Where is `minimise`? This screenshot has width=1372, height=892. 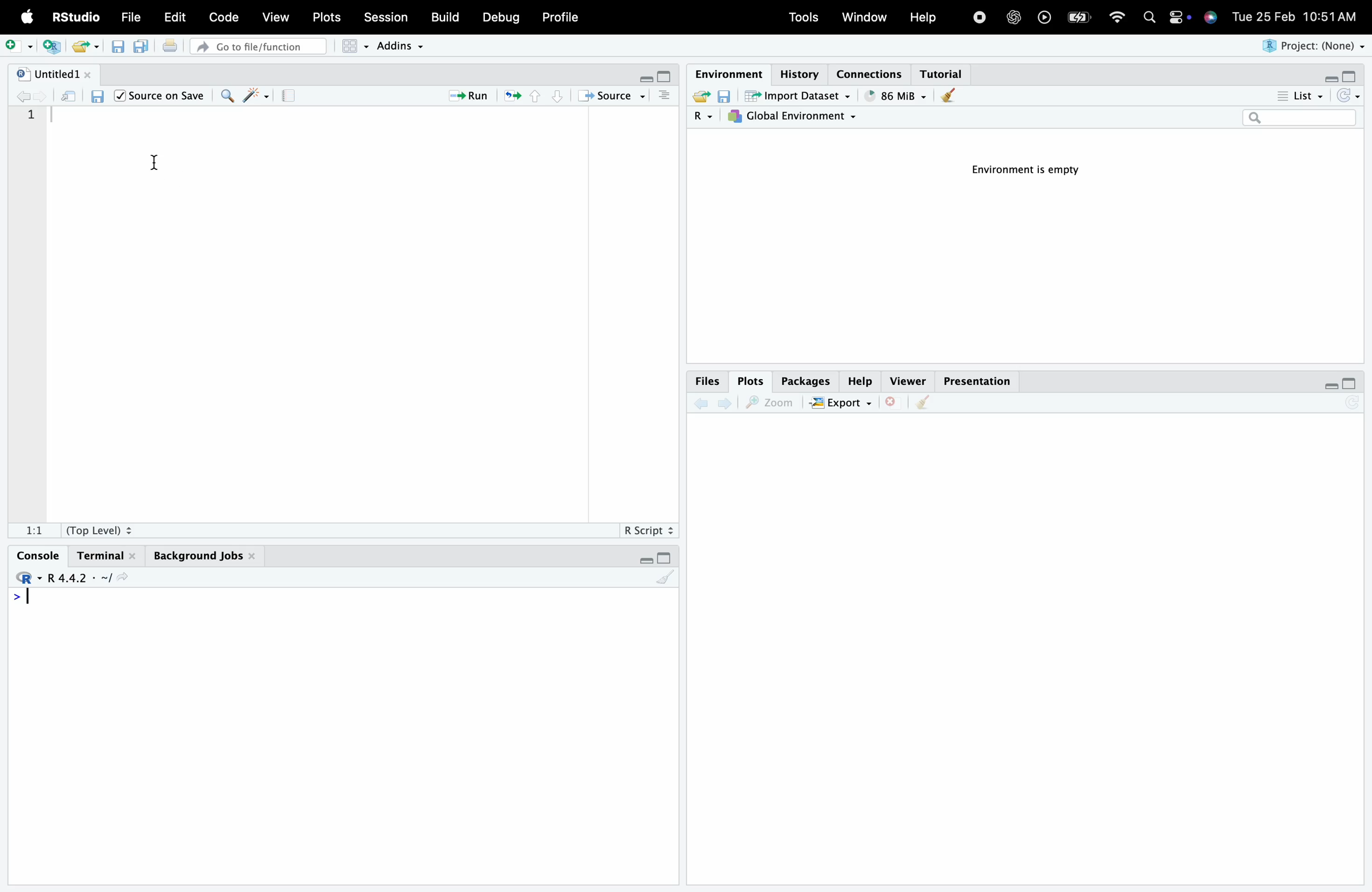
minimise is located at coordinates (1327, 79).